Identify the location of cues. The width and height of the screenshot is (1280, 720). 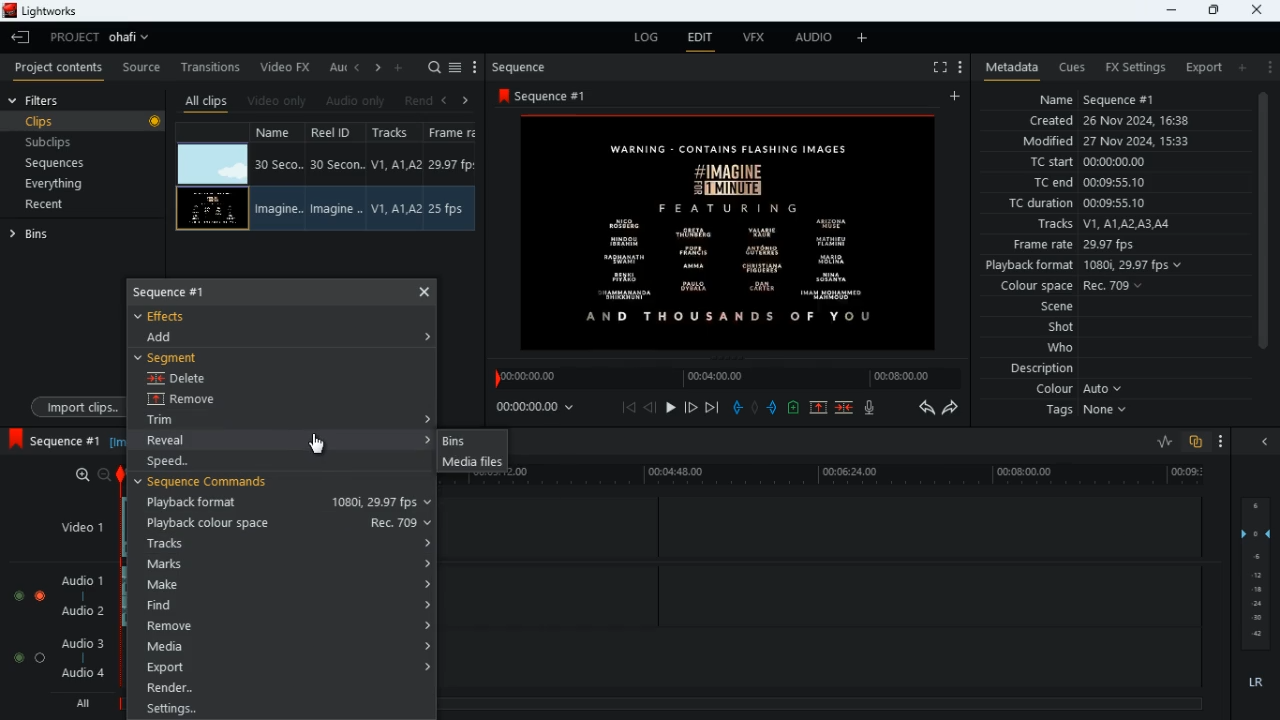
(1073, 68).